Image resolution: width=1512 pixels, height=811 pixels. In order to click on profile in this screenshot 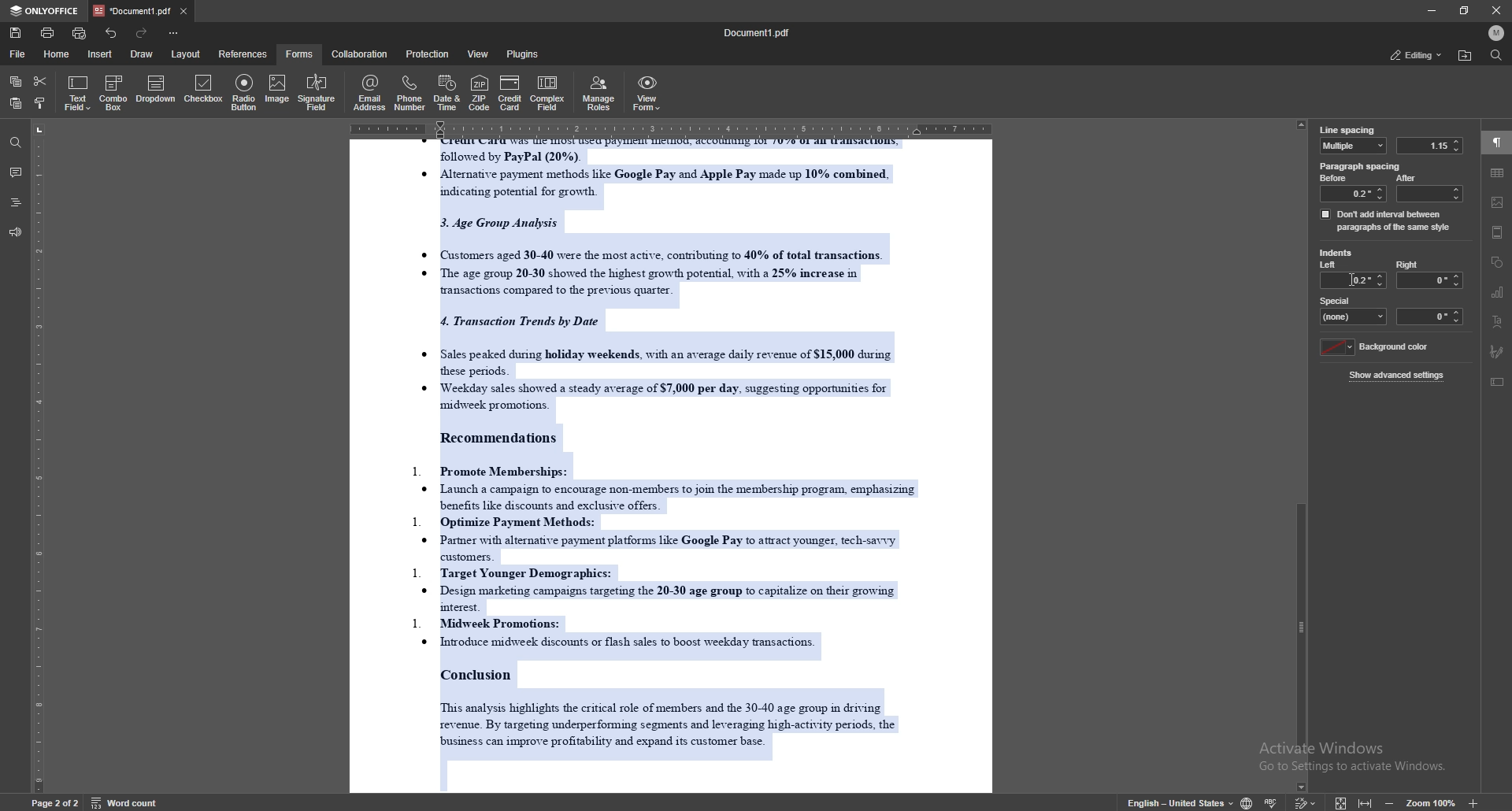, I will do `click(1496, 32)`.